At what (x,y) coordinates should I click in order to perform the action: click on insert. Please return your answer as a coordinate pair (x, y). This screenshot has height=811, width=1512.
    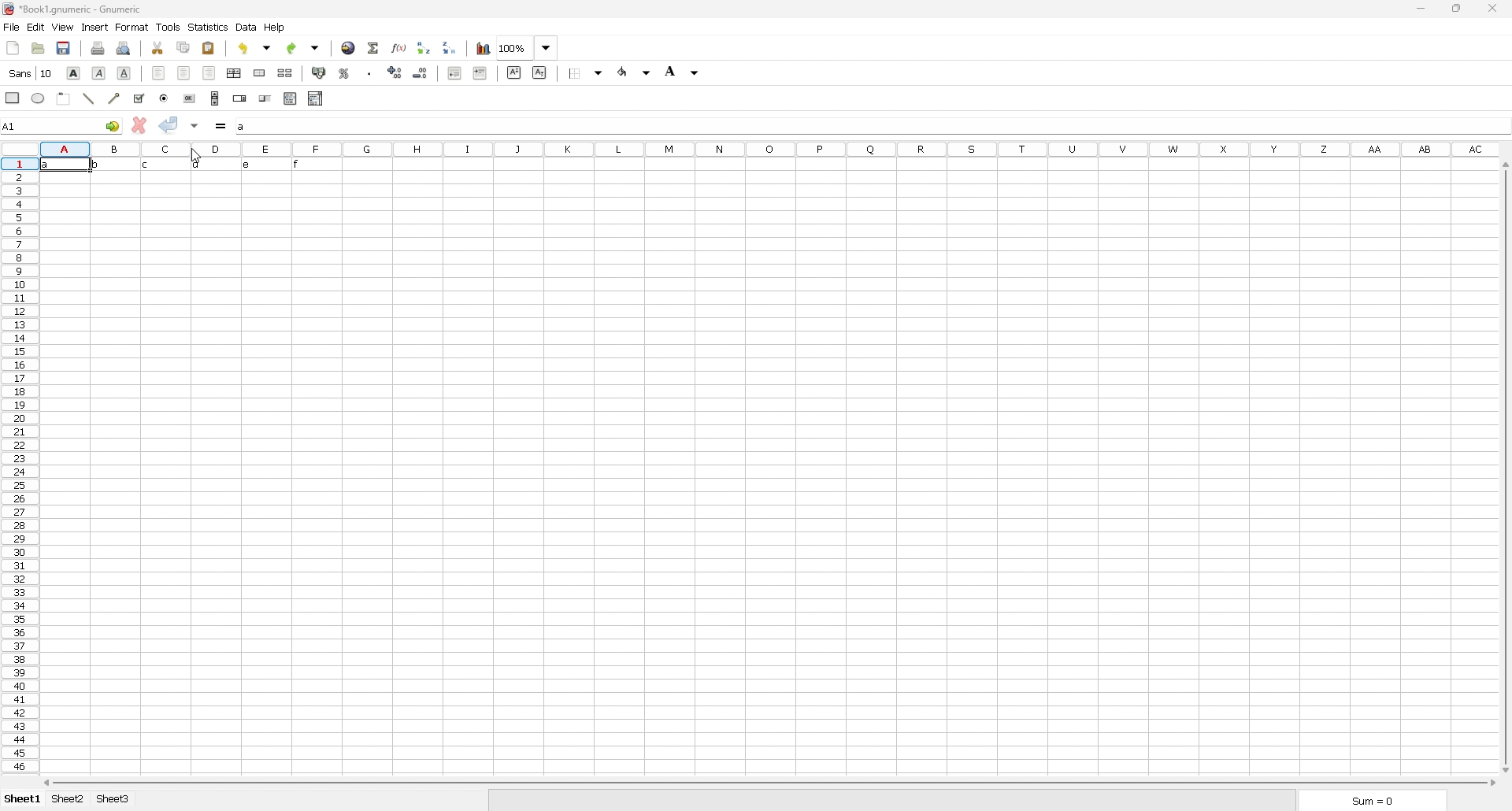
    Looking at the image, I should click on (94, 27).